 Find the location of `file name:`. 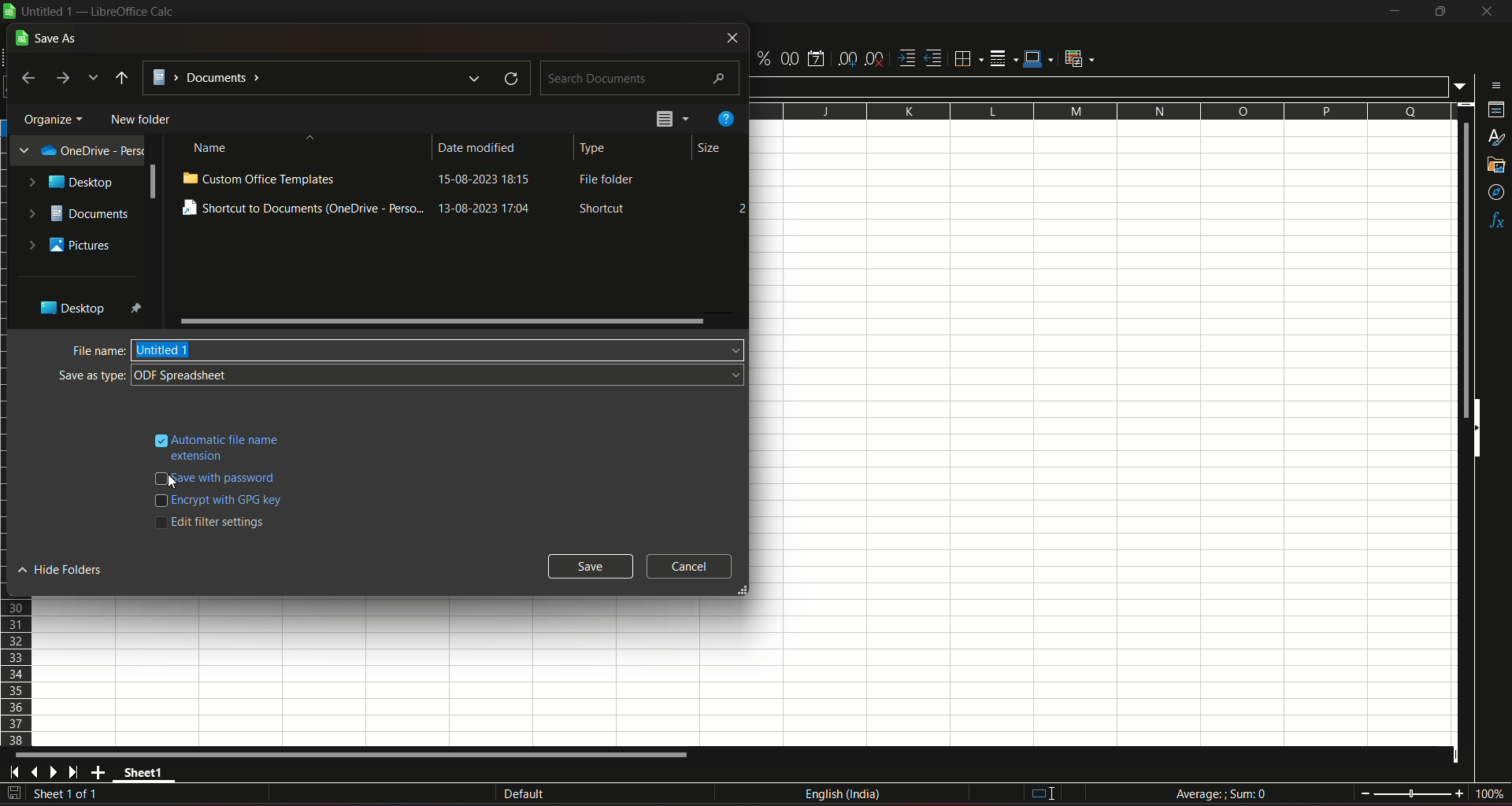

file name: is located at coordinates (96, 350).